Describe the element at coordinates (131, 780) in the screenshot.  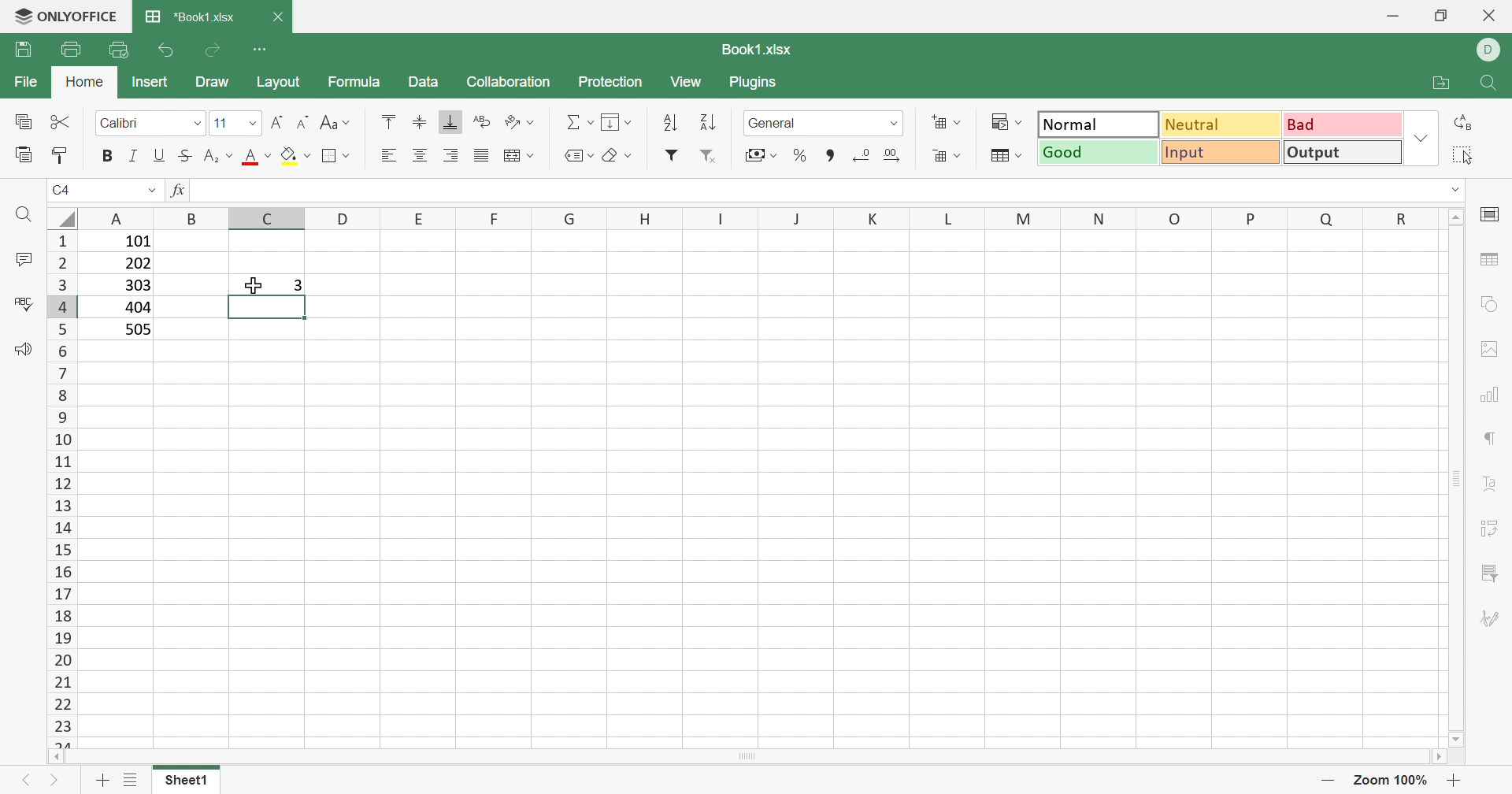
I see `List of sheets` at that location.